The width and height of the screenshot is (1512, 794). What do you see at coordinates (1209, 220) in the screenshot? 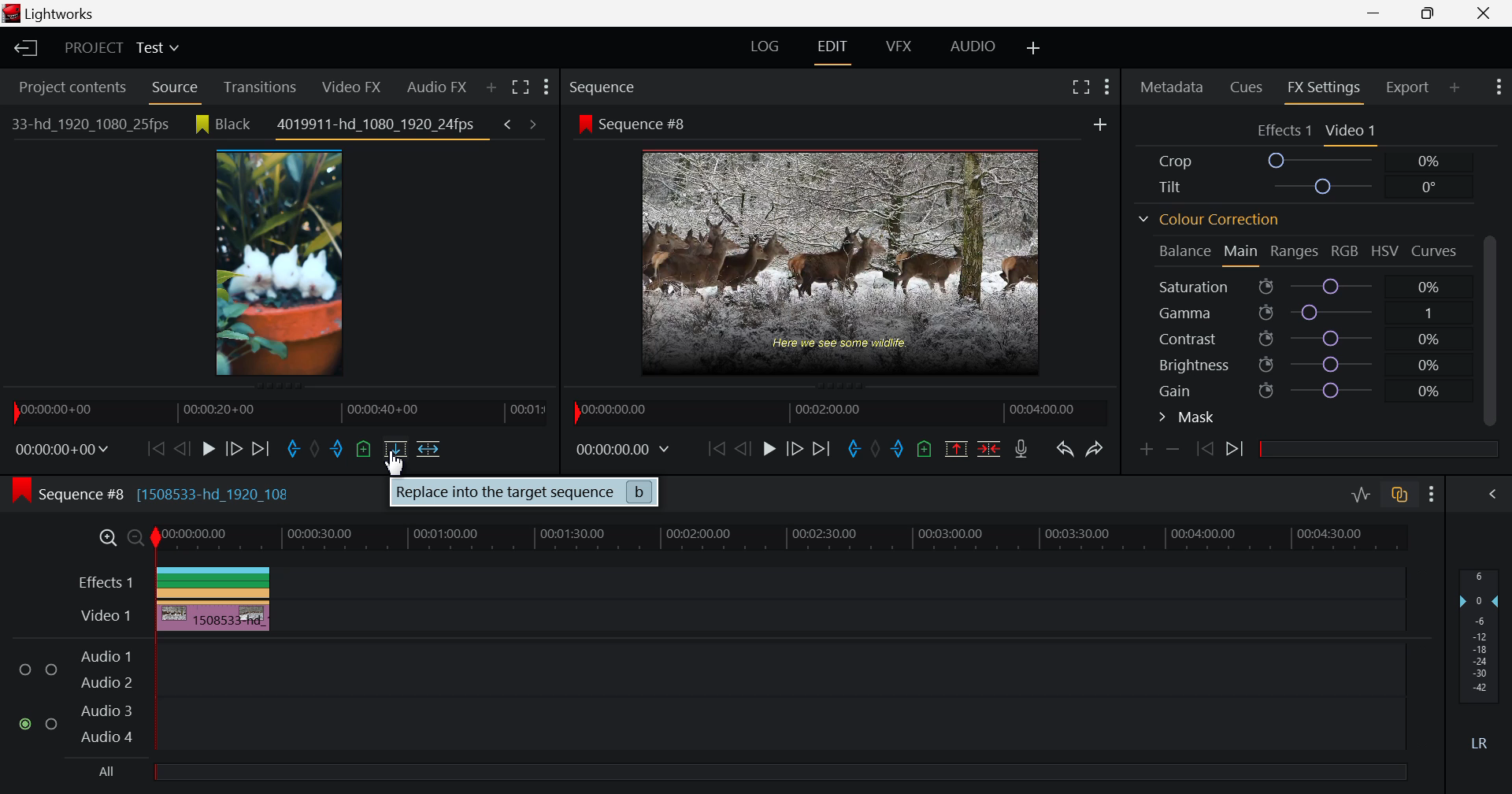
I see `Colour Correction` at bounding box center [1209, 220].